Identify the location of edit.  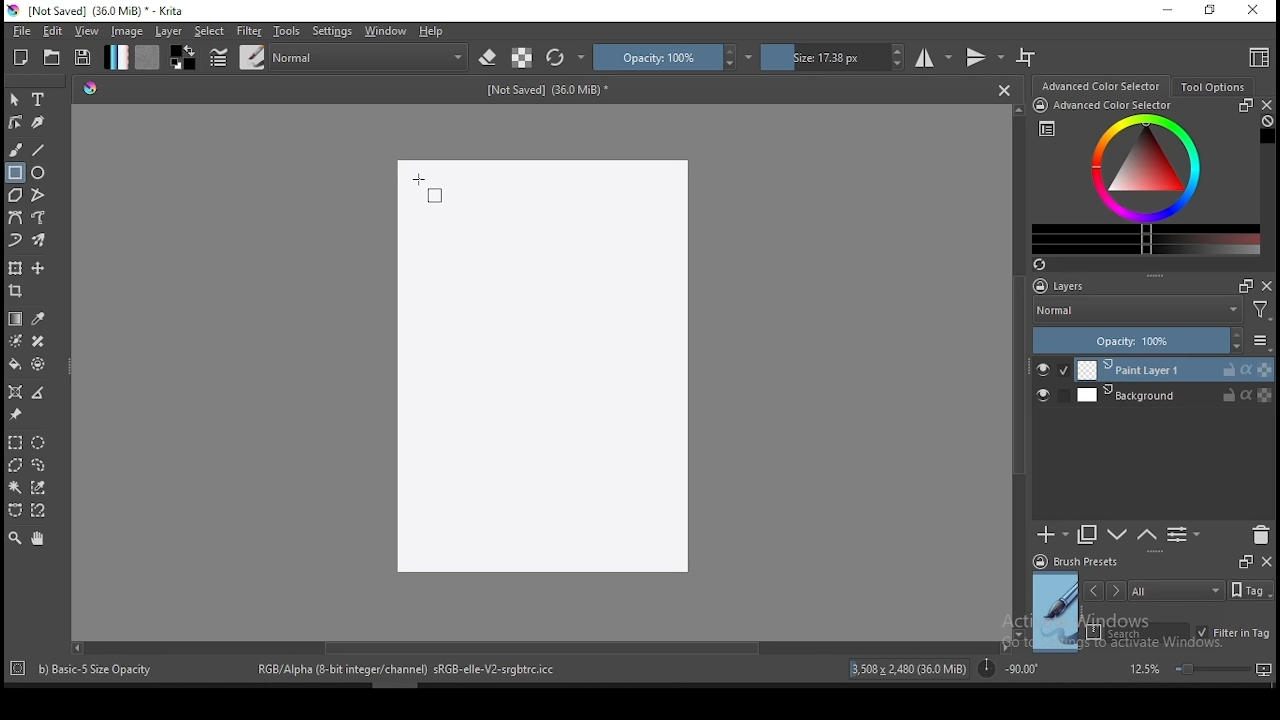
(52, 30).